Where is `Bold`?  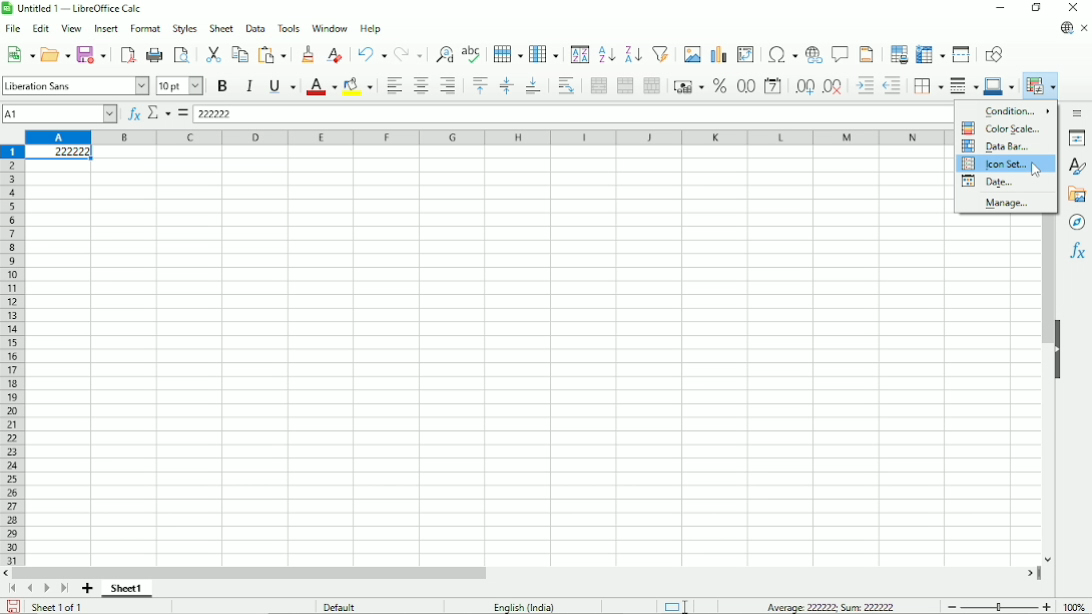 Bold is located at coordinates (221, 85).